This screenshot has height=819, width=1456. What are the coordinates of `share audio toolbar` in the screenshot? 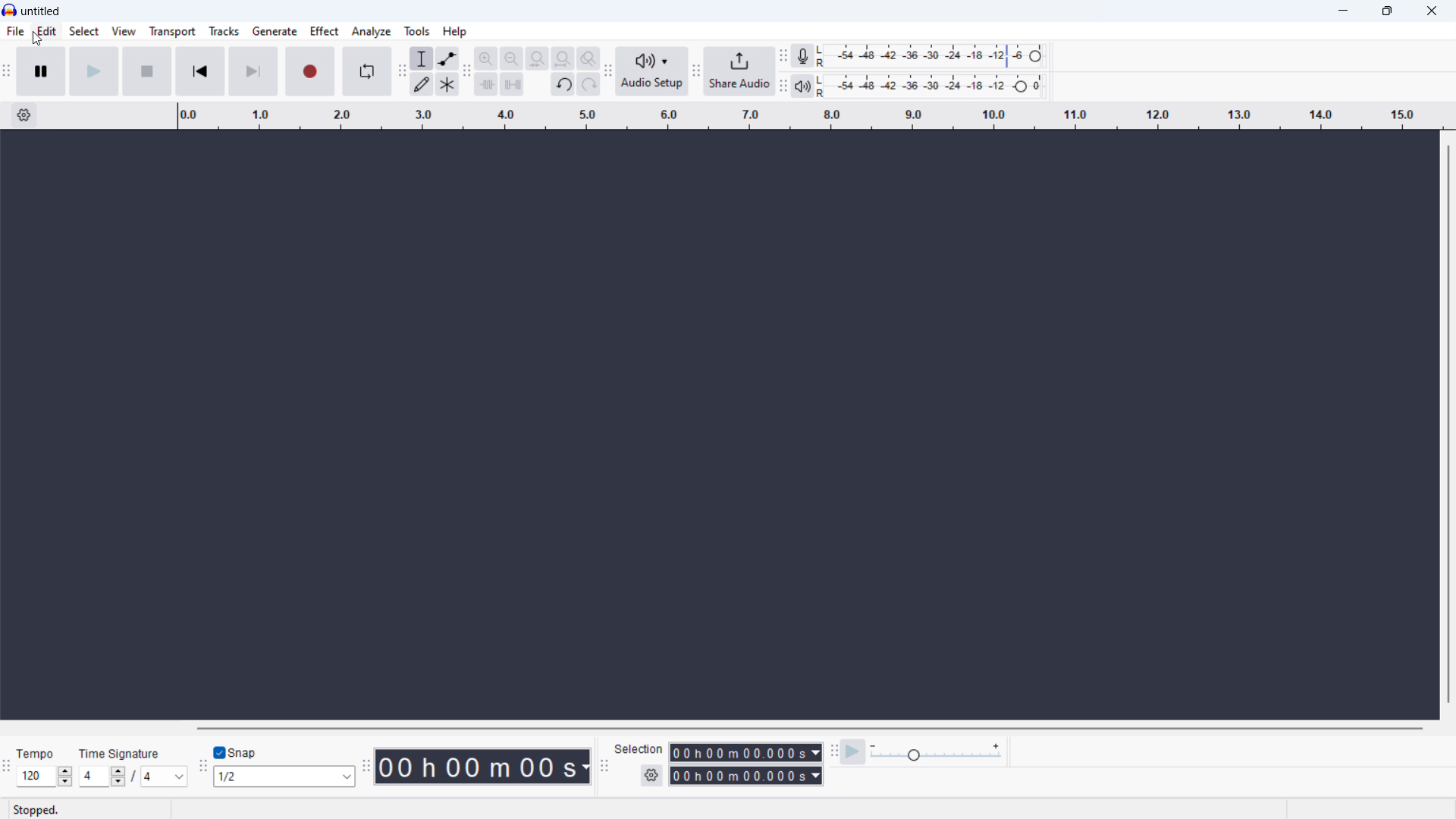 It's located at (696, 72).